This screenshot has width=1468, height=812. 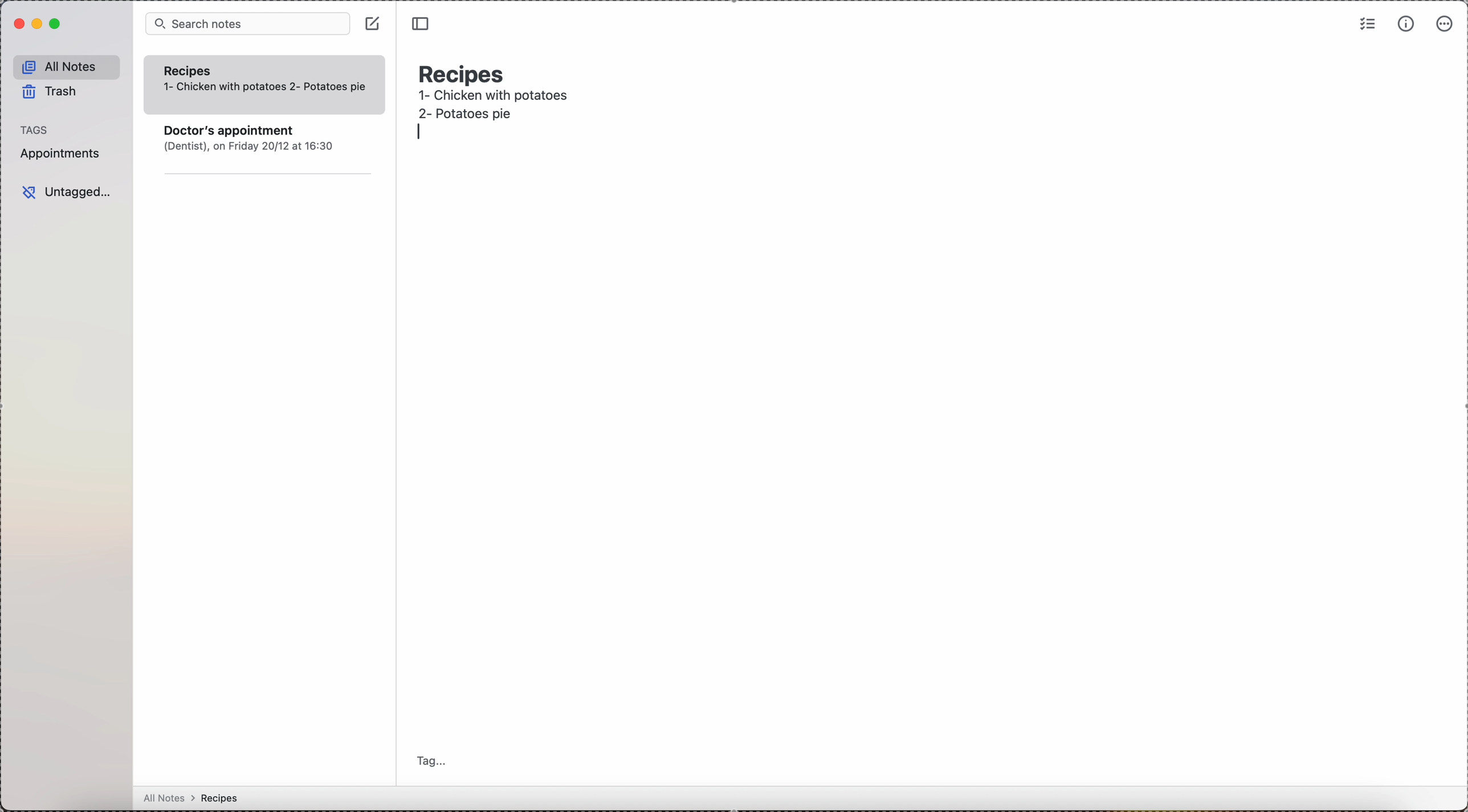 I want to click on note, so click(x=270, y=153).